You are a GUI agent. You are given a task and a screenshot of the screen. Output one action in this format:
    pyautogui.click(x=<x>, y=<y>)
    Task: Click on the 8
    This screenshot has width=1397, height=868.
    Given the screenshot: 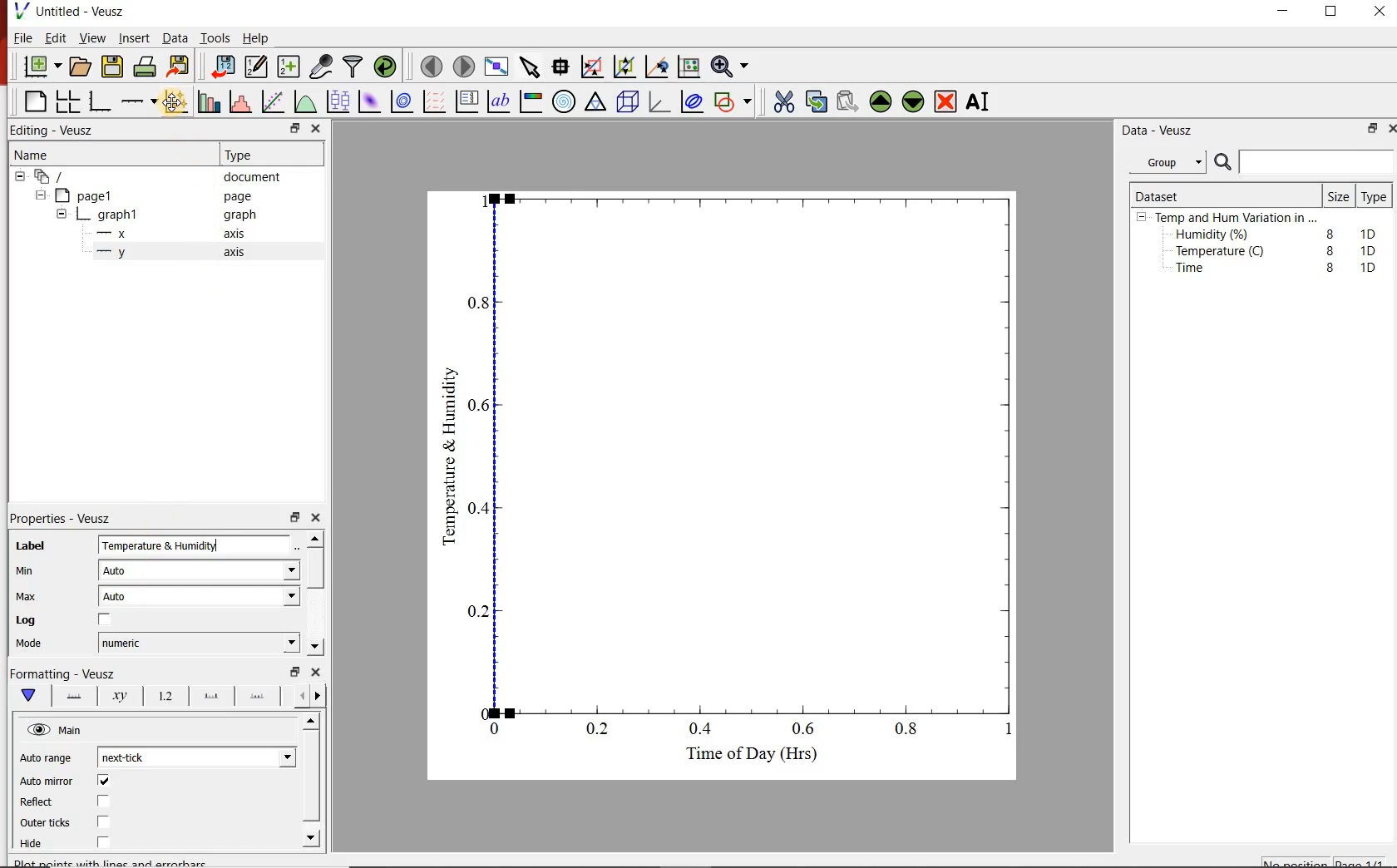 What is the action you would take?
    pyautogui.click(x=1330, y=268)
    